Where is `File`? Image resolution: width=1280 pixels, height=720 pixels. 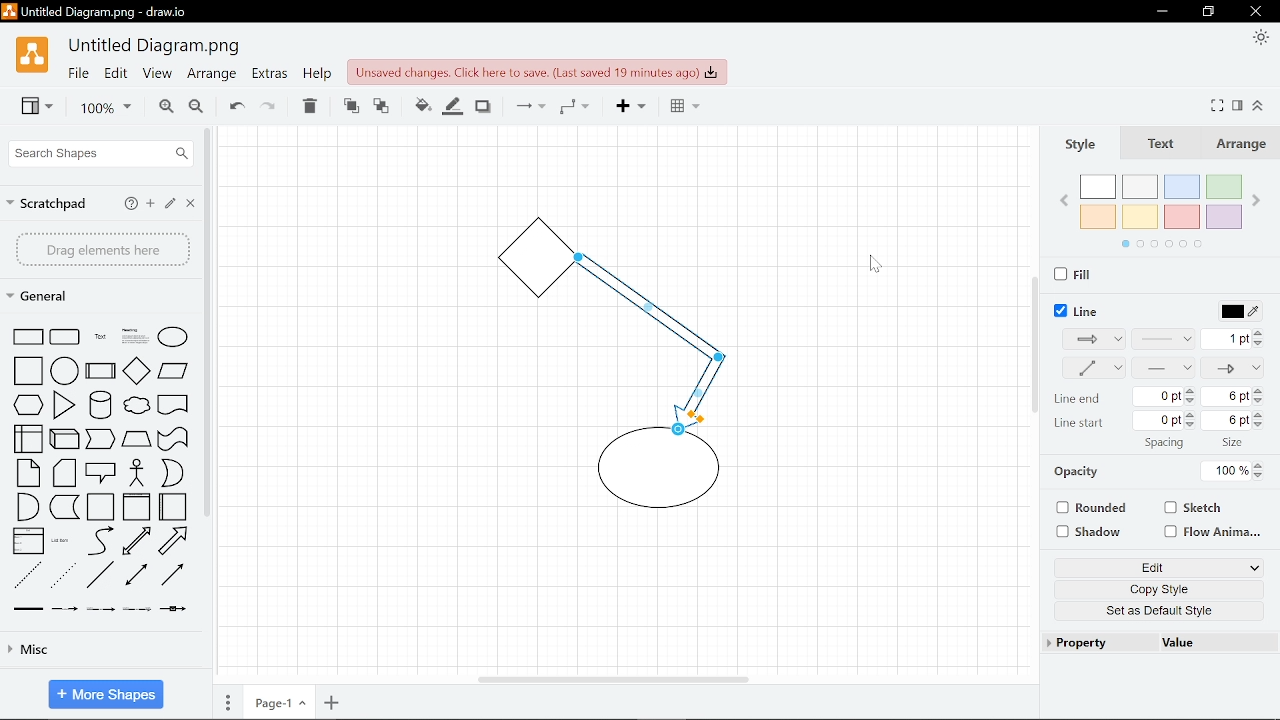 File is located at coordinates (77, 75).